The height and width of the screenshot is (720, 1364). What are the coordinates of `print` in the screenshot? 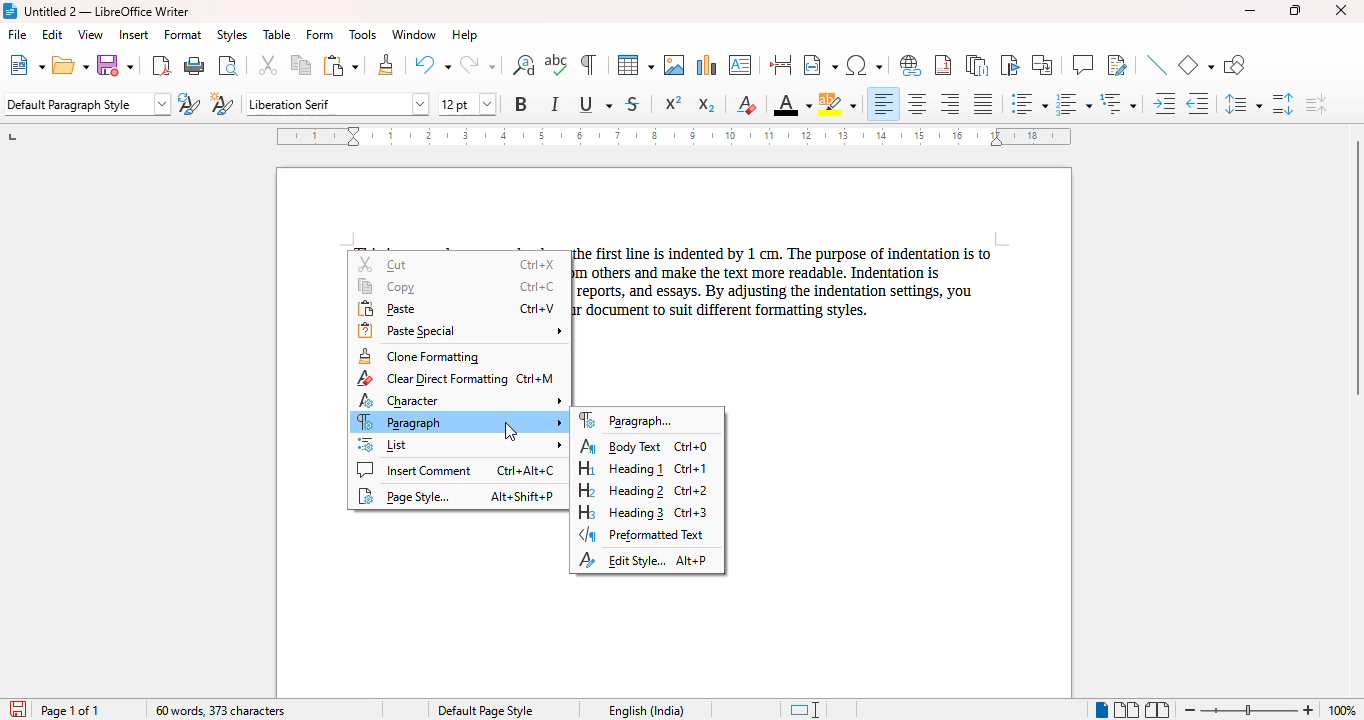 It's located at (195, 64).